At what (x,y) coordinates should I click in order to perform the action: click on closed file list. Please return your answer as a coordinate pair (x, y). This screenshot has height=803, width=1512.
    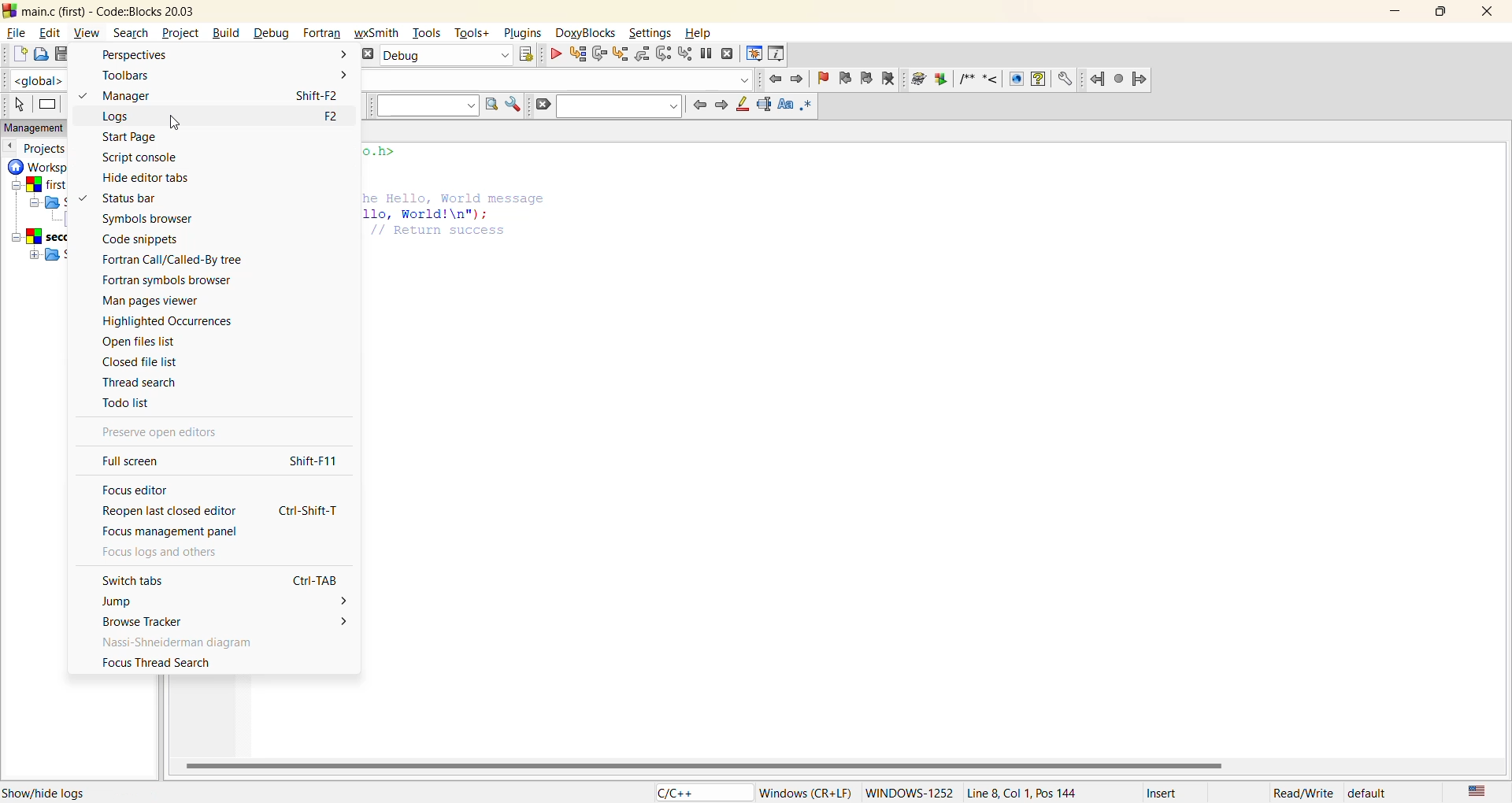
    Looking at the image, I should click on (150, 361).